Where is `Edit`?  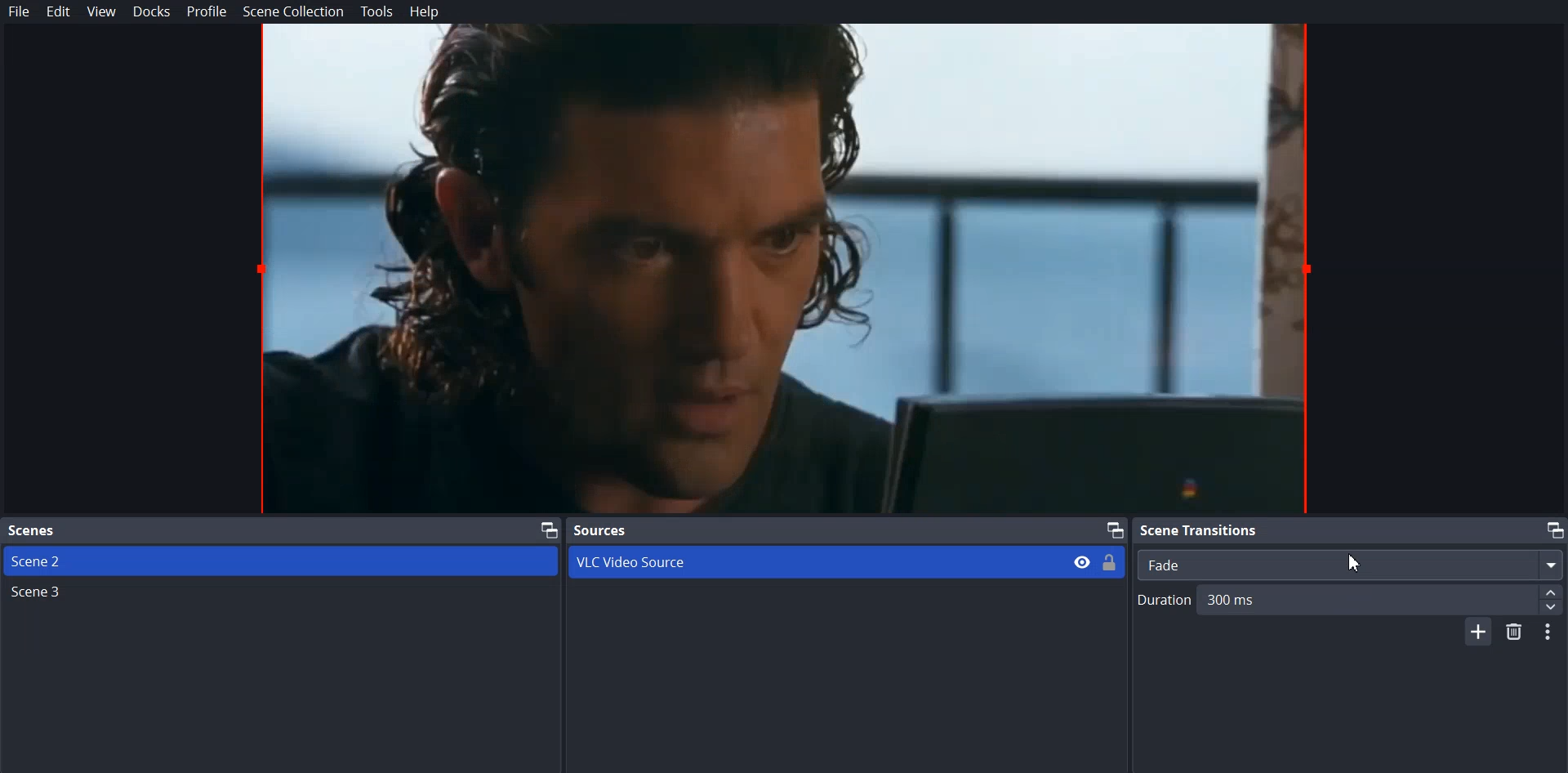 Edit is located at coordinates (59, 12).